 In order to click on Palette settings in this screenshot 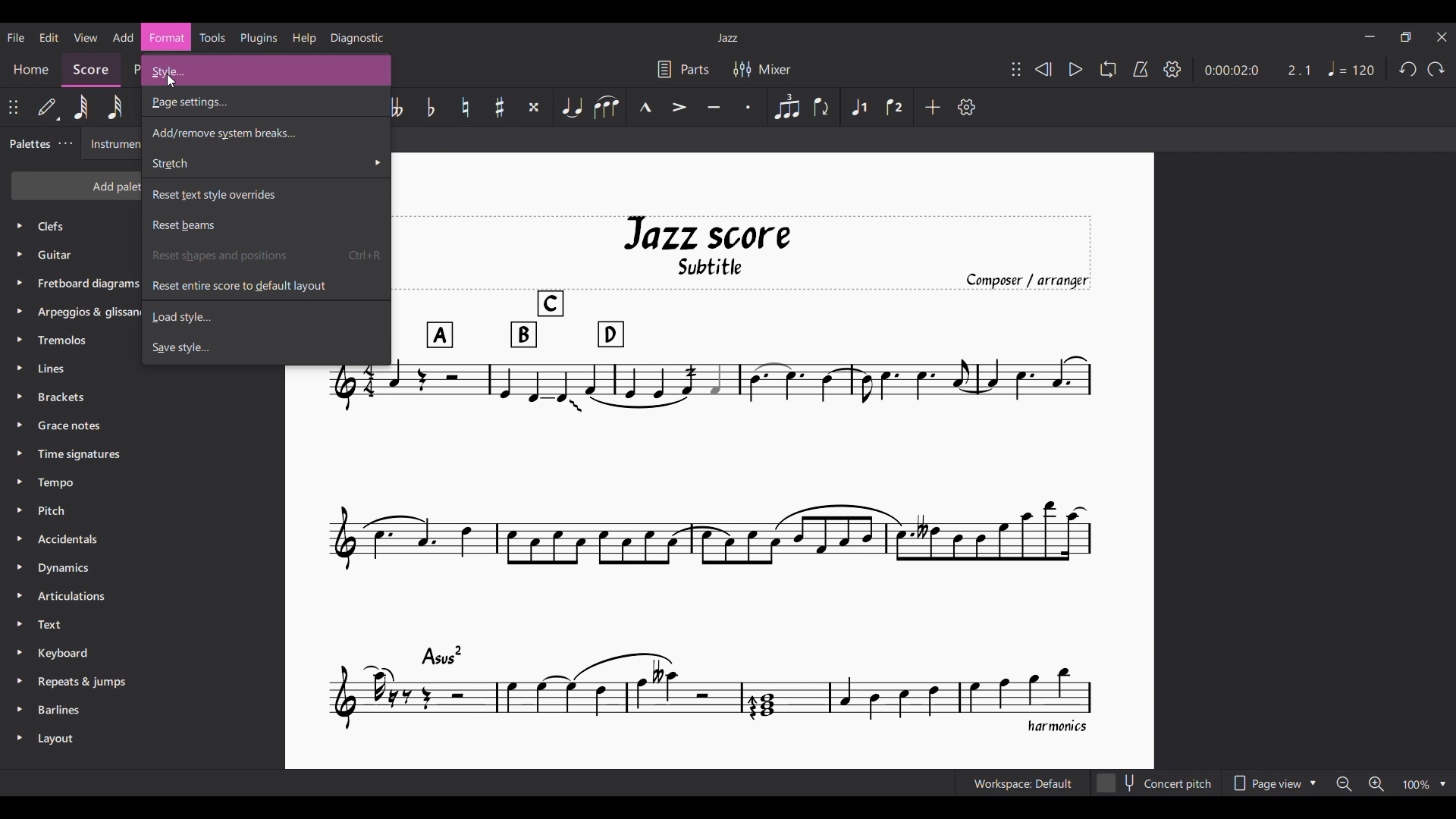, I will do `click(66, 143)`.